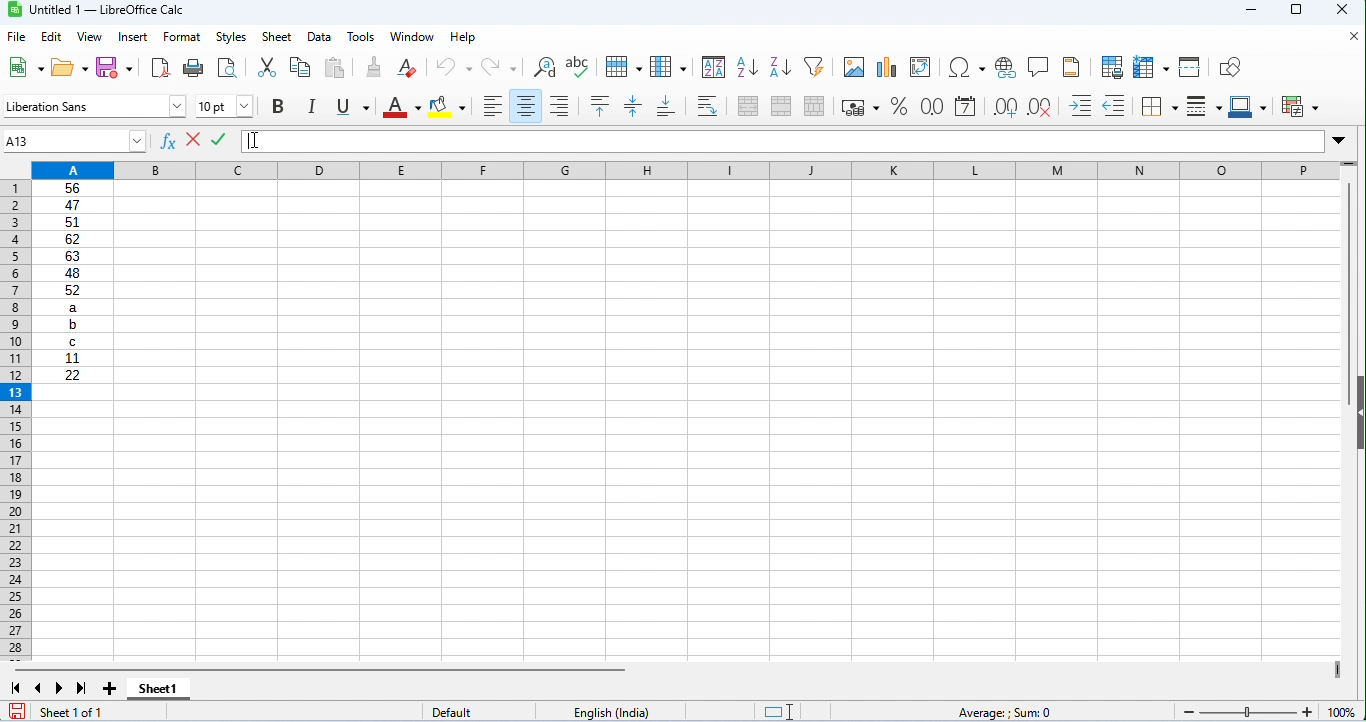 This screenshot has width=1366, height=722. Describe the element at coordinates (685, 171) in the screenshot. I see `column headings` at that location.